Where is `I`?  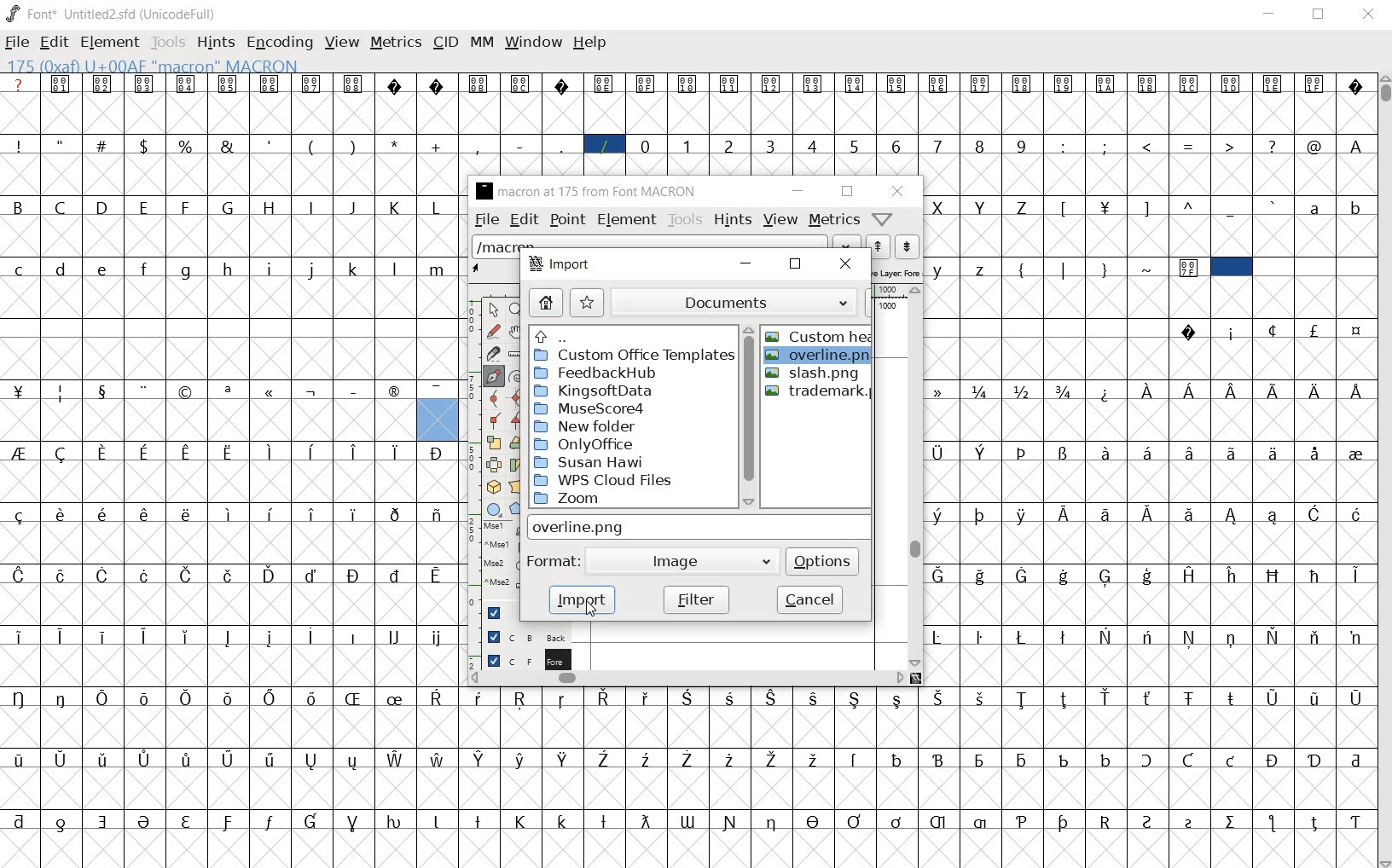 I is located at coordinates (313, 206).